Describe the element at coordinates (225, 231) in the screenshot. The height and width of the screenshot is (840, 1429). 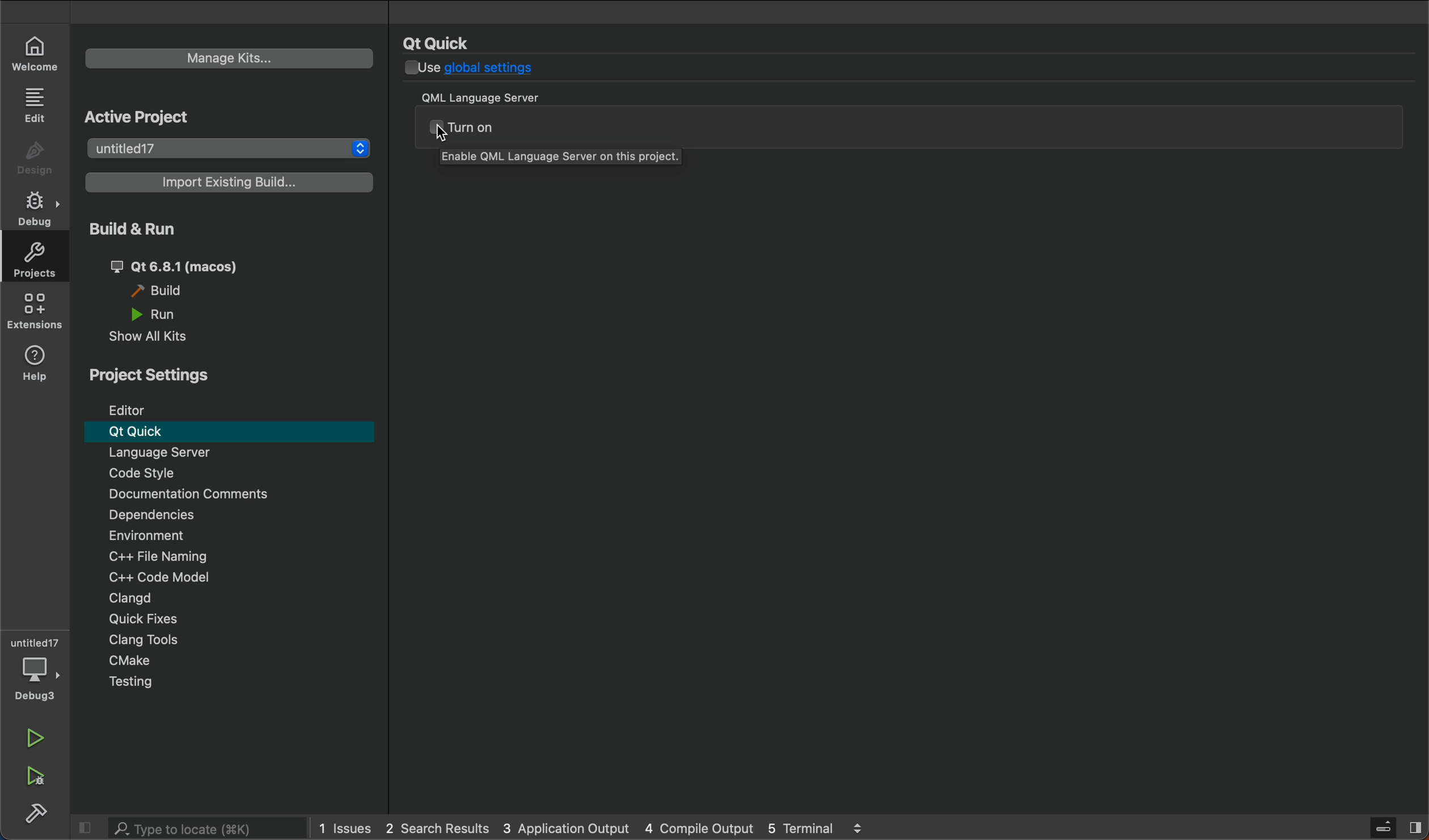
I see `run and build` at that location.